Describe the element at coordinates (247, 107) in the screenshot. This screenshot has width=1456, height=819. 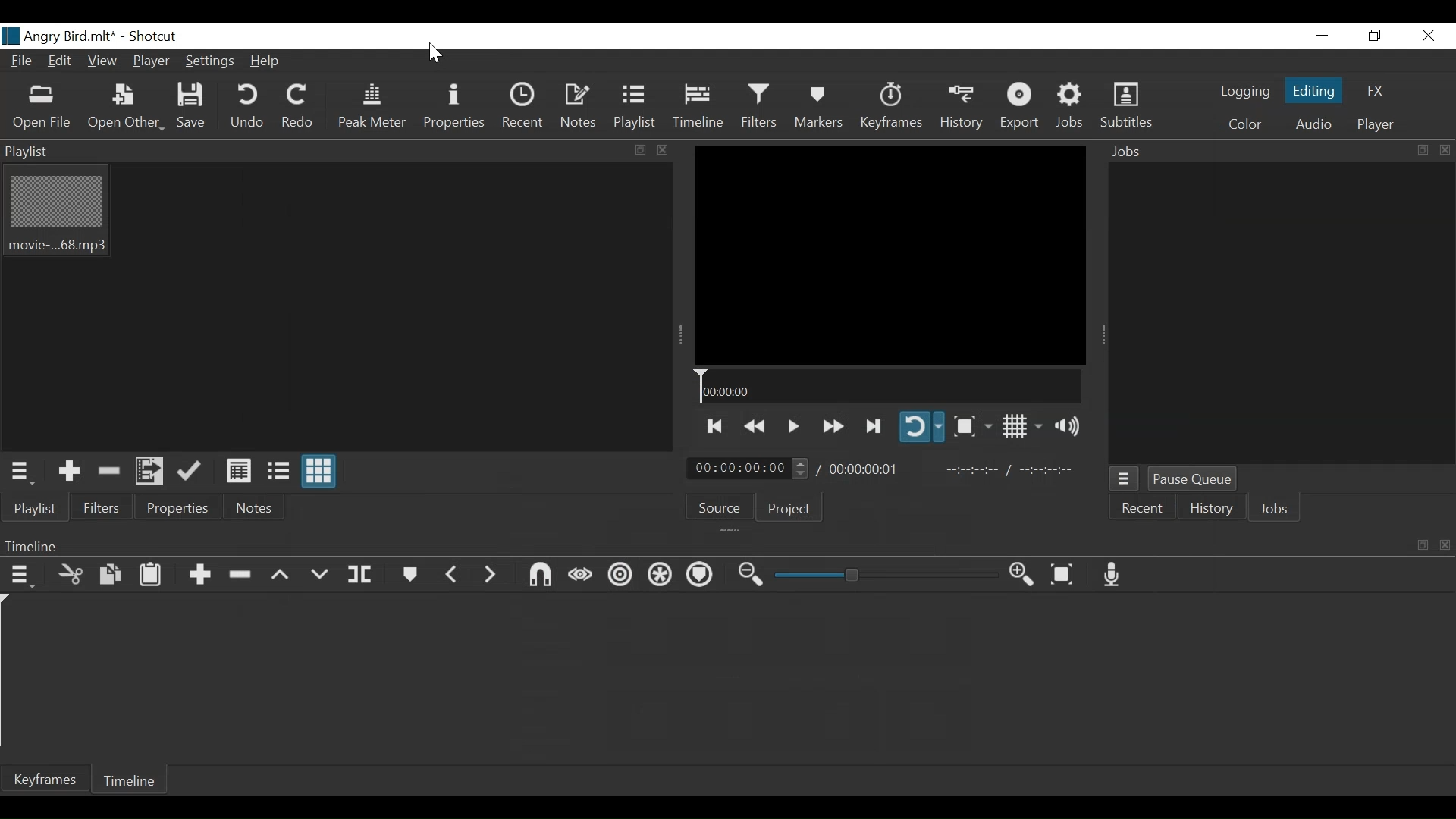
I see `Undo` at that location.